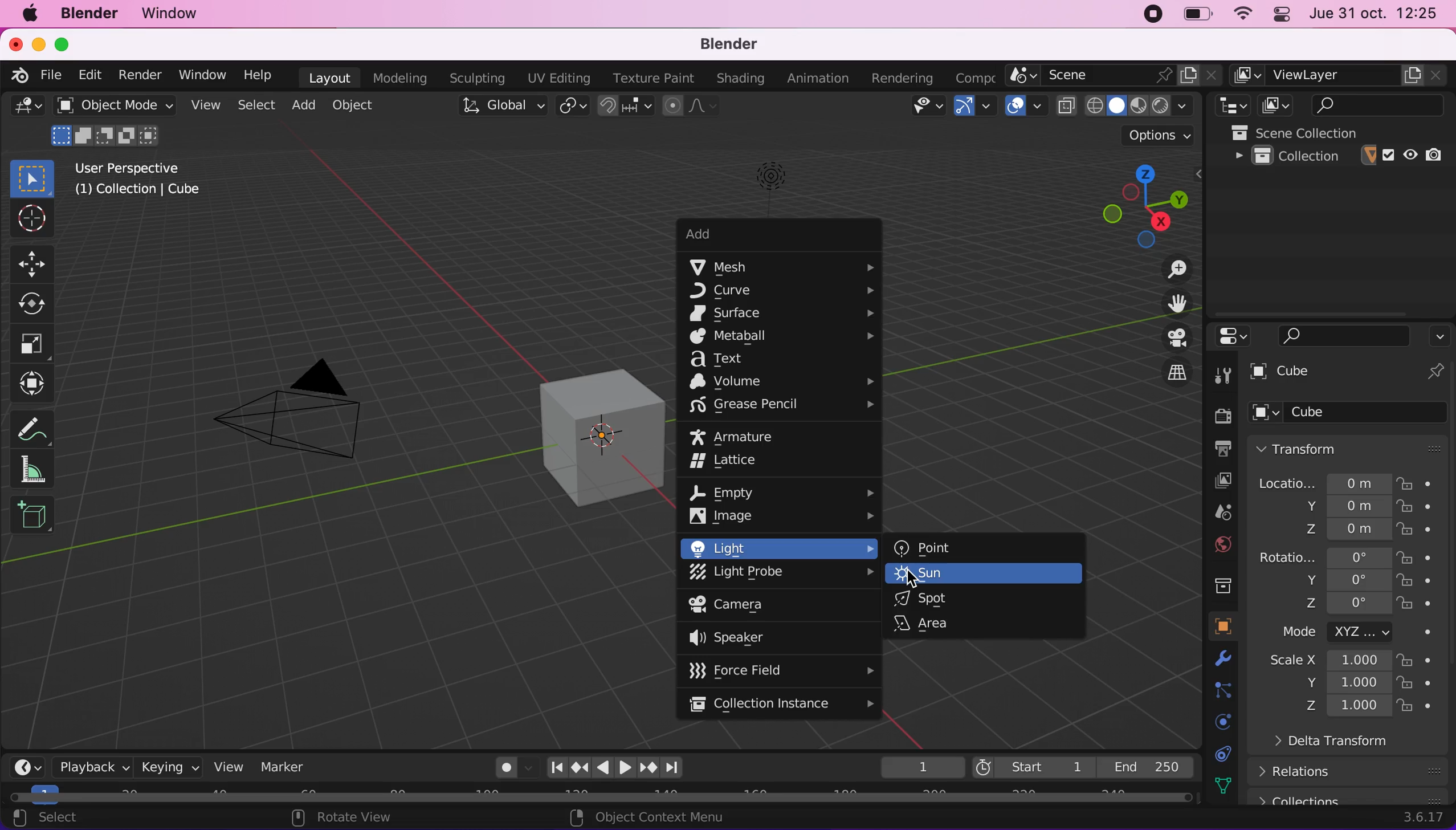 The height and width of the screenshot is (830, 1456). What do you see at coordinates (306, 107) in the screenshot?
I see `add` at bounding box center [306, 107].